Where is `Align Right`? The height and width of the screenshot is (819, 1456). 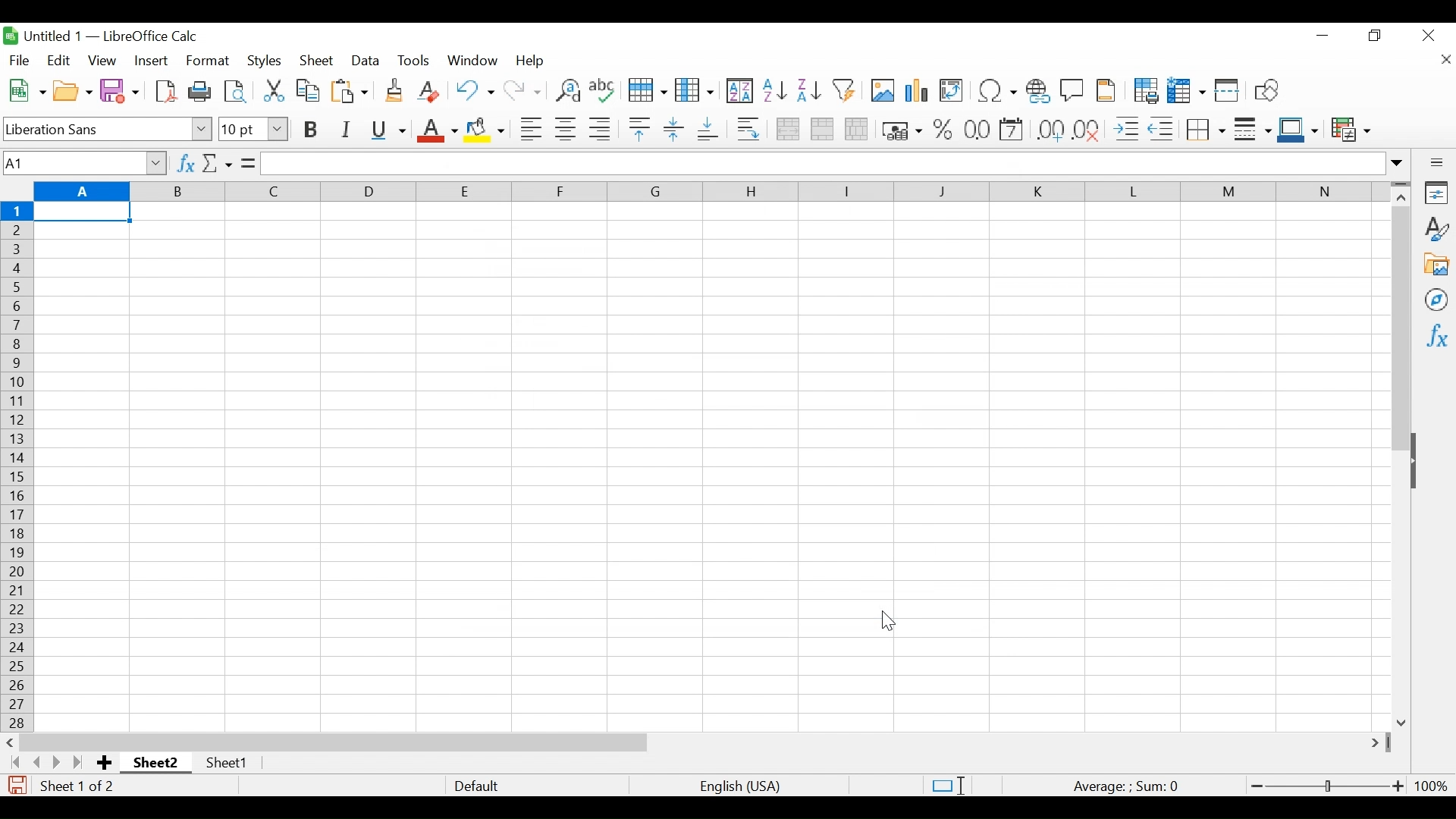 Align Right is located at coordinates (599, 129).